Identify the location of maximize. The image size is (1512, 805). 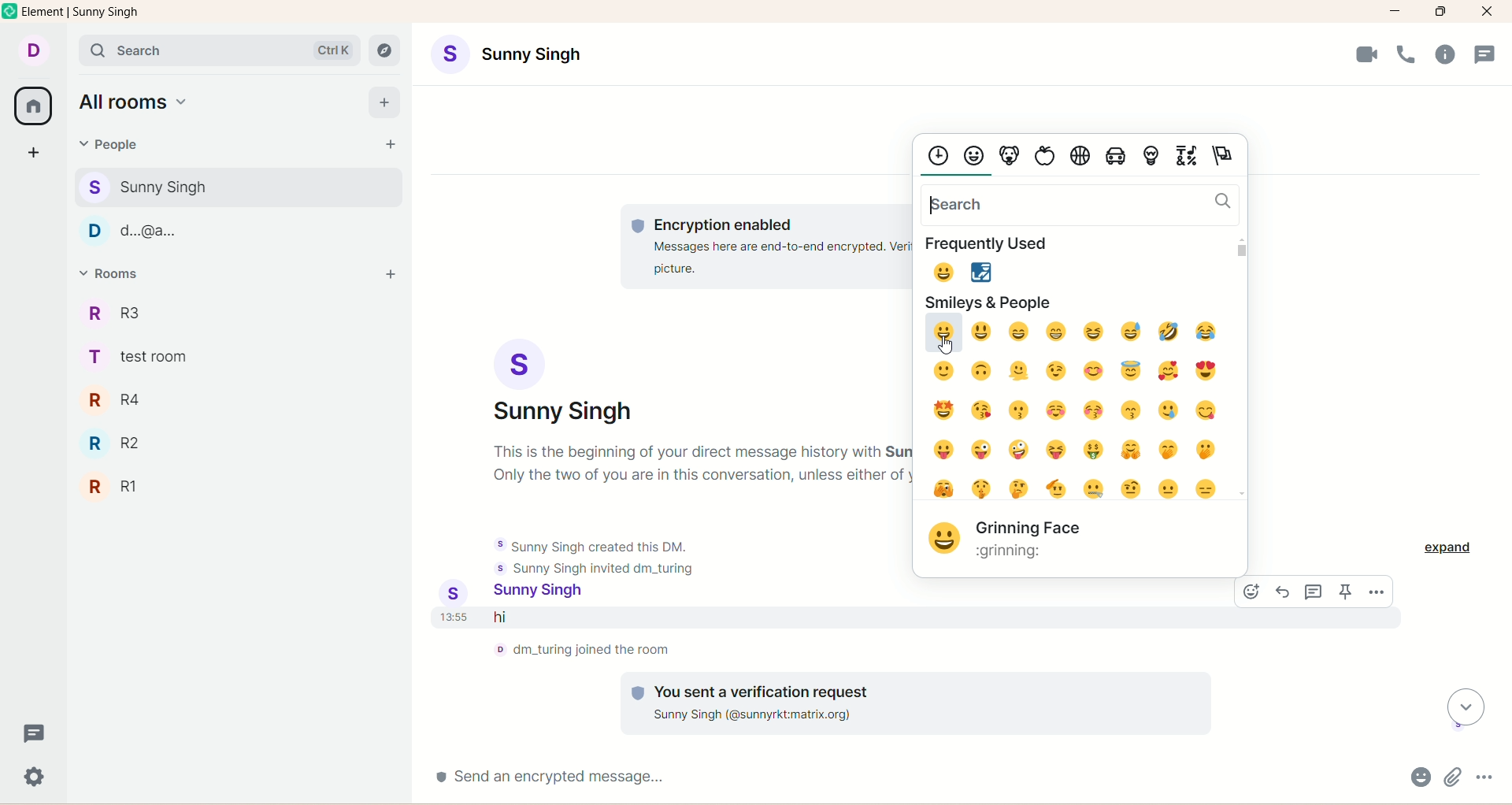
(1440, 12).